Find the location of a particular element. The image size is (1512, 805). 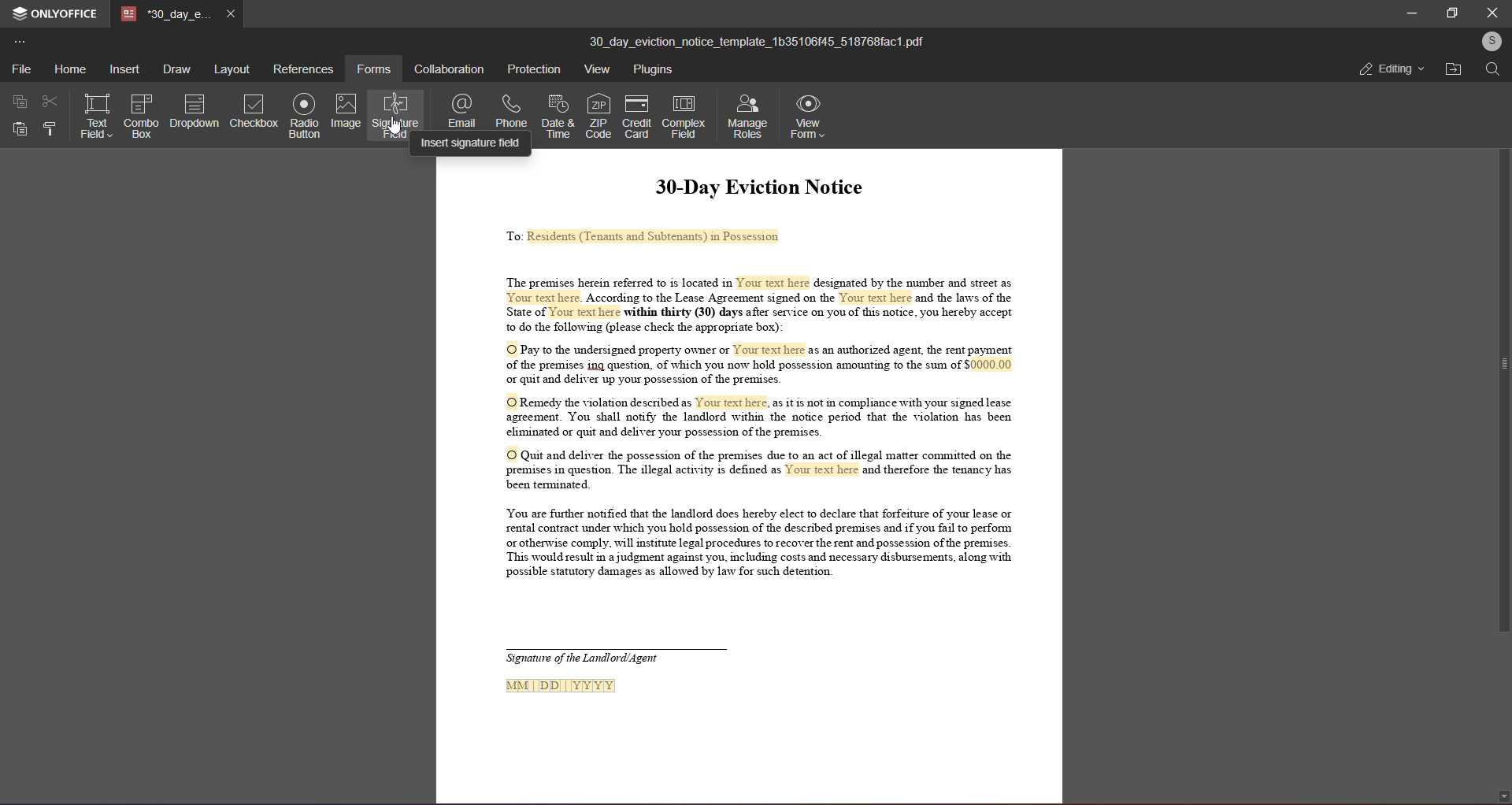

insert is located at coordinates (124, 69).